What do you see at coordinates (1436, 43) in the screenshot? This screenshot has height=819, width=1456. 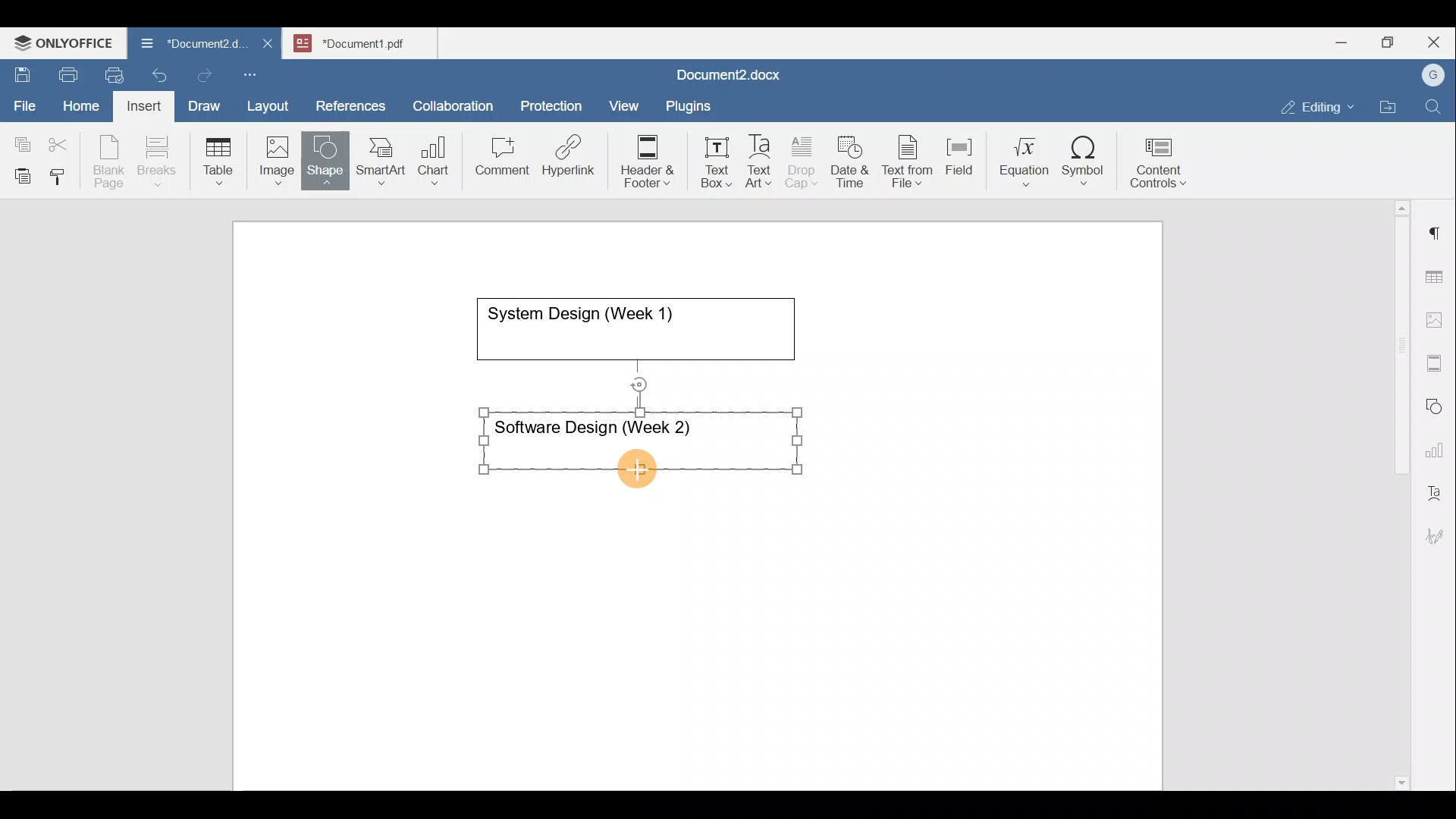 I see `Close` at bounding box center [1436, 43].